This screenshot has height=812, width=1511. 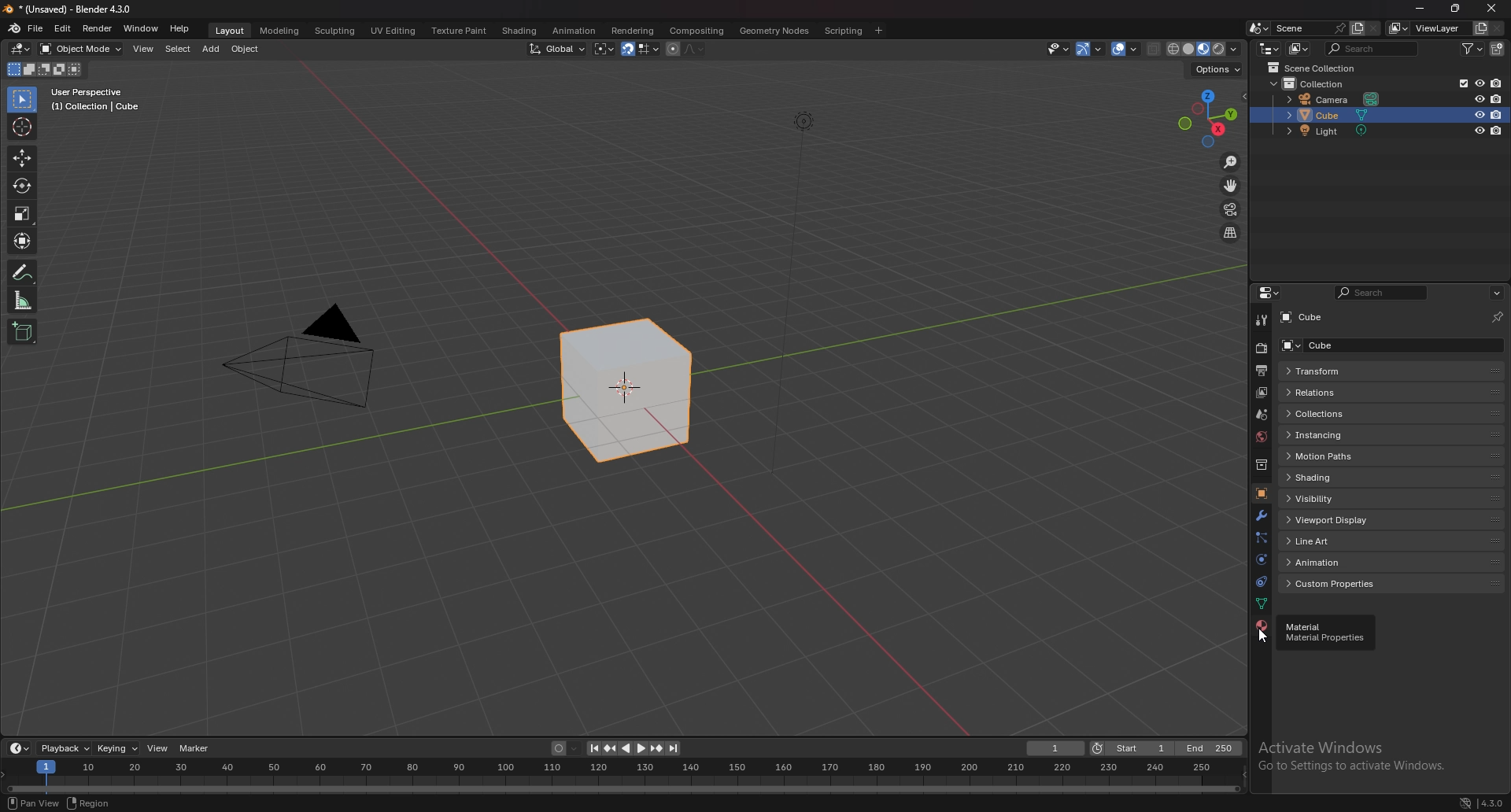 What do you see at coordinates (1459, 83) in the screenshot?
I see `exclude from view layer` at bounding box center [1459, 83].